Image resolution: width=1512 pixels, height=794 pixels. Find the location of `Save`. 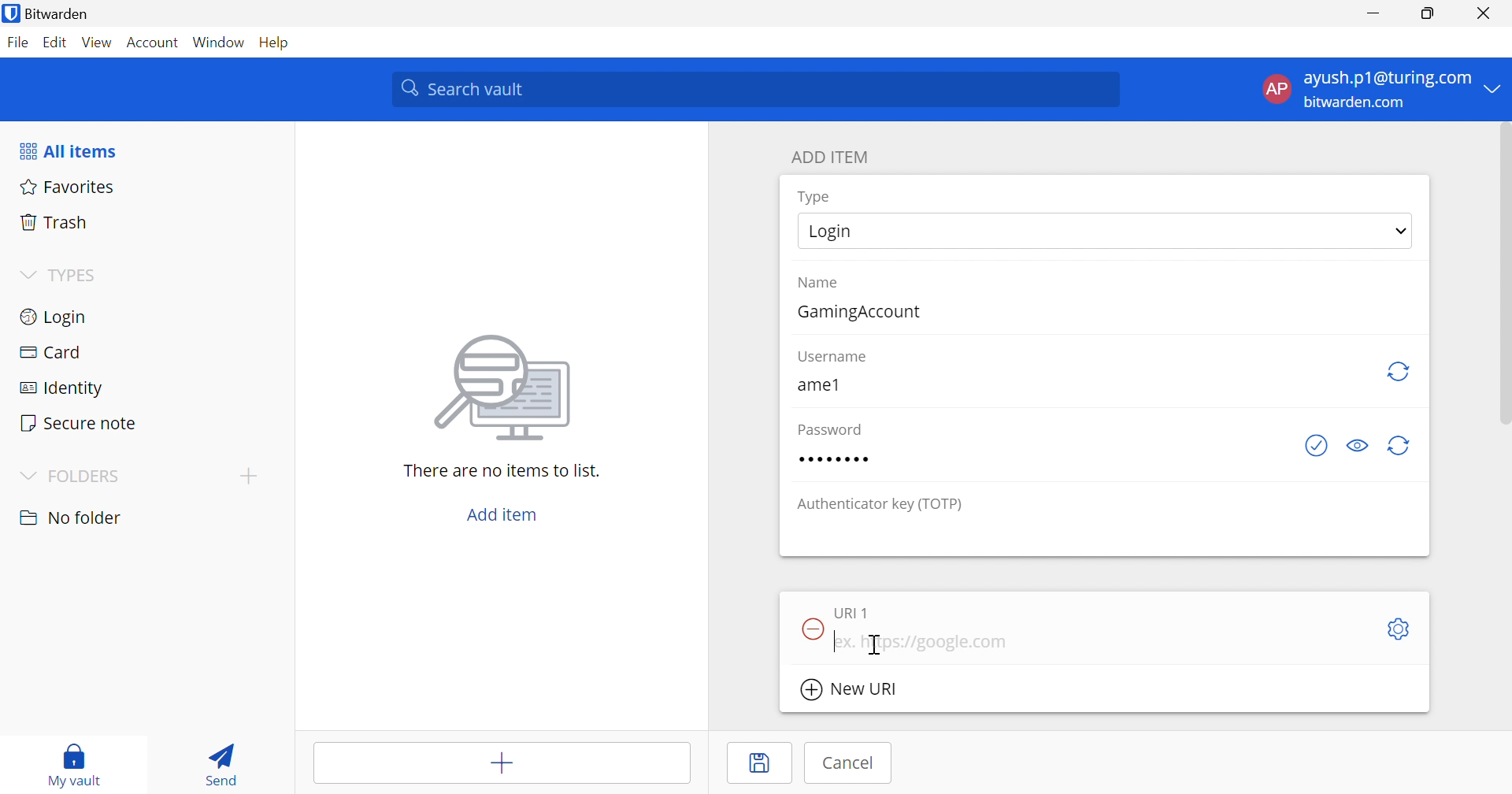

Save is located at coordinates (762, 763).